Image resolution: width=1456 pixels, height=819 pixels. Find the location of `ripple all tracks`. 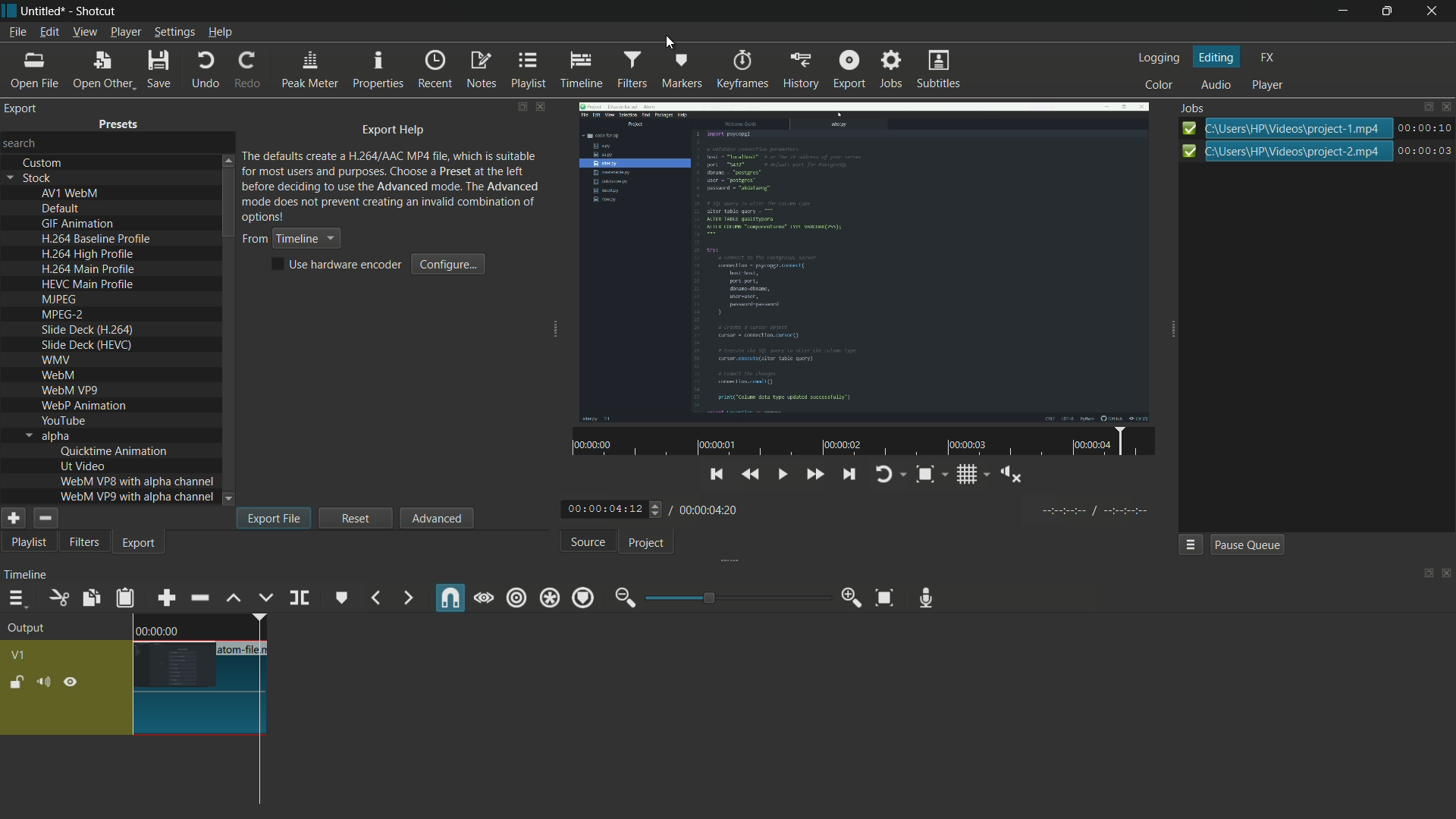

ripple all tracks is located at coordinates (549, 598).